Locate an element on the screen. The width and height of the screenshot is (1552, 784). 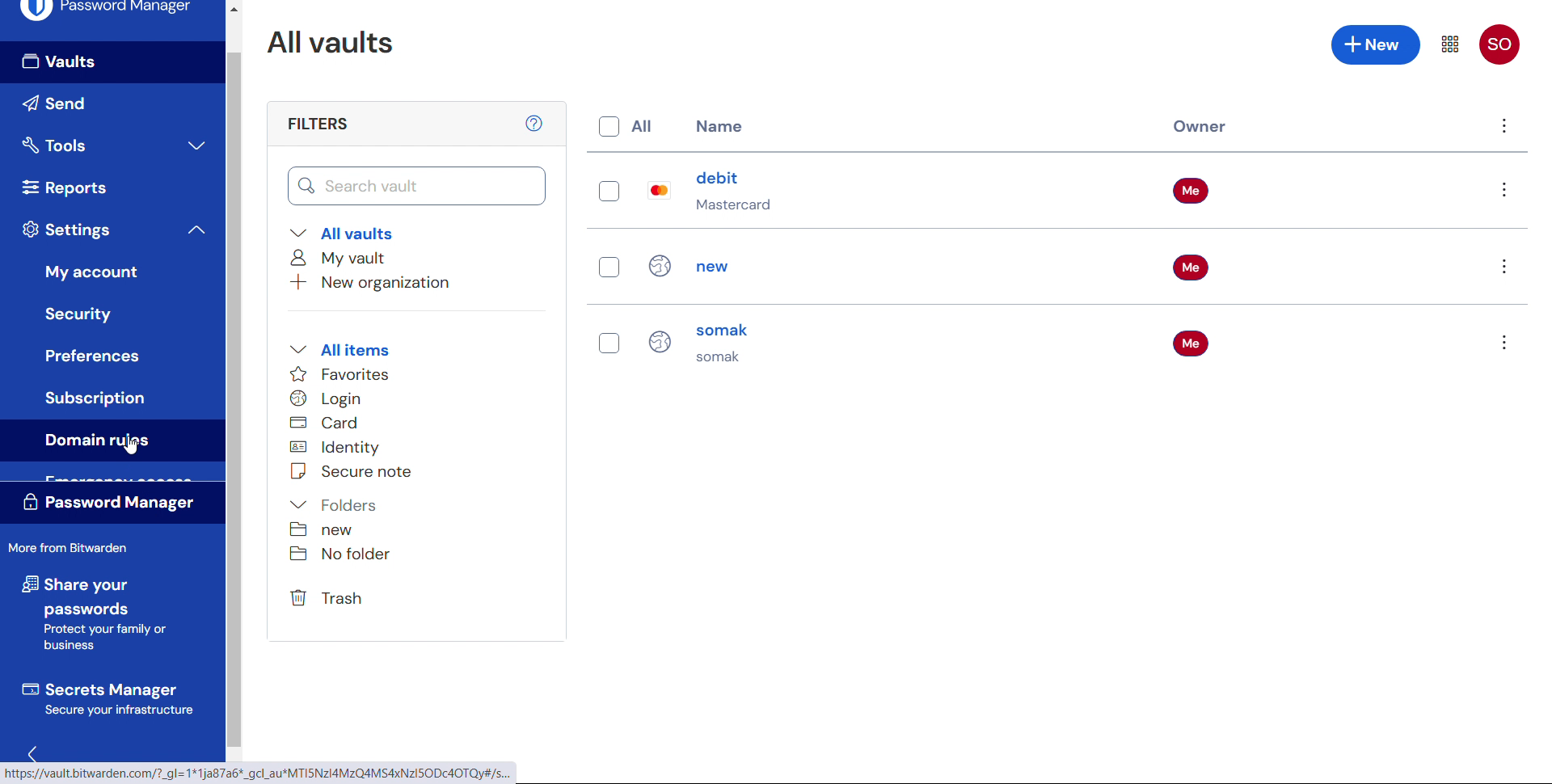
new  is located at coordinates (322, 530).